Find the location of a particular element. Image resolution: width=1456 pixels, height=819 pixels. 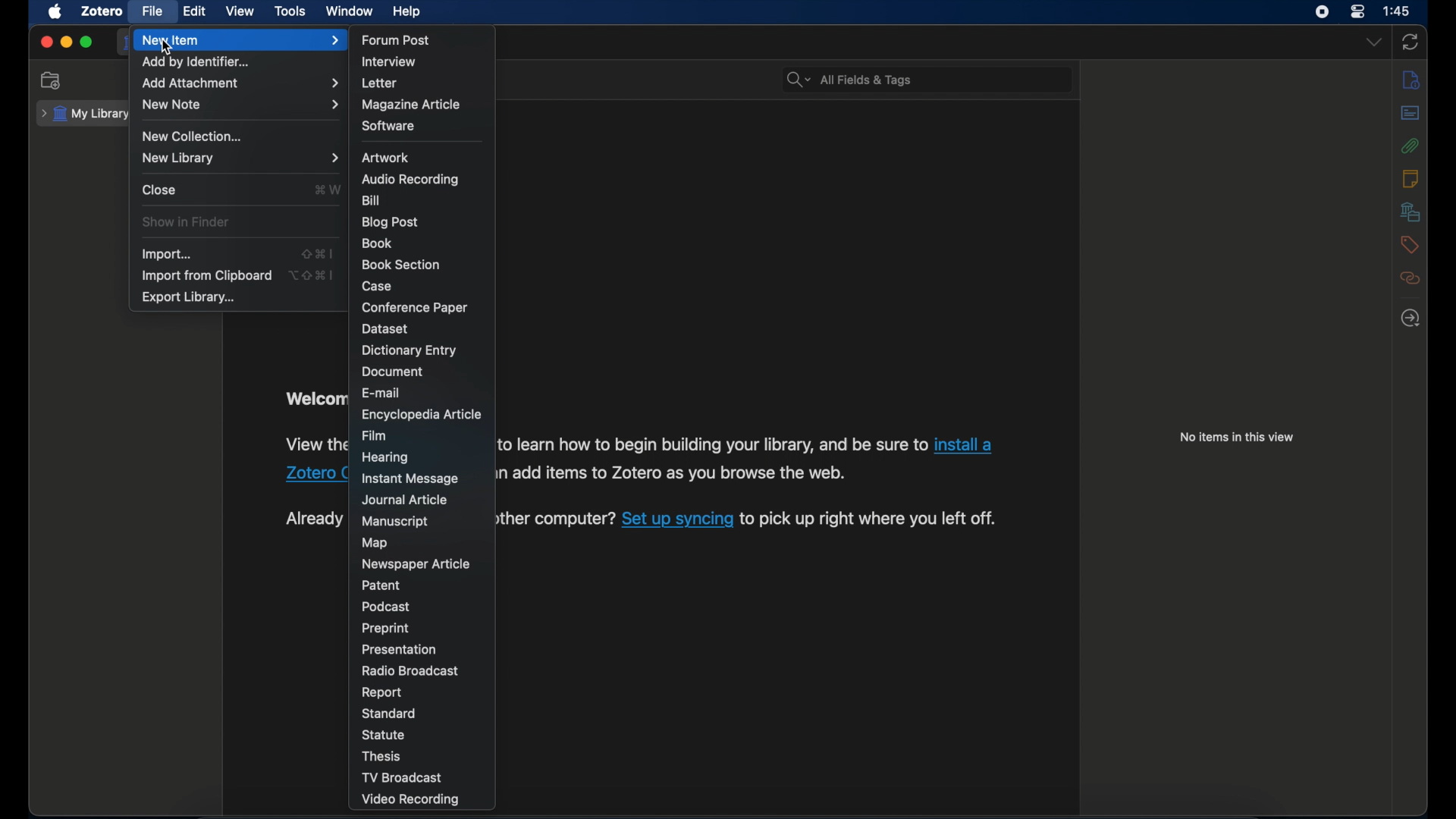

new note is located at coordinates (241, 104).